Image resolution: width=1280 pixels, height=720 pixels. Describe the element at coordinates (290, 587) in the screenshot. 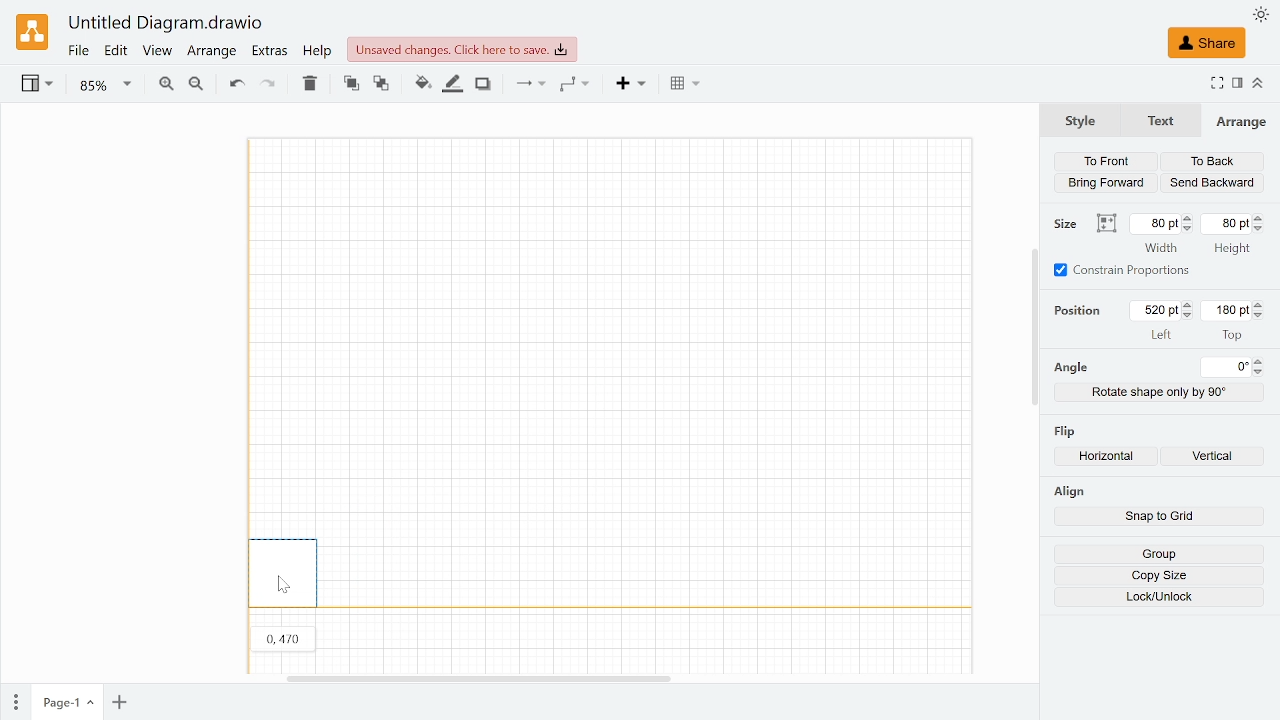

I see `Pointer` at that location.